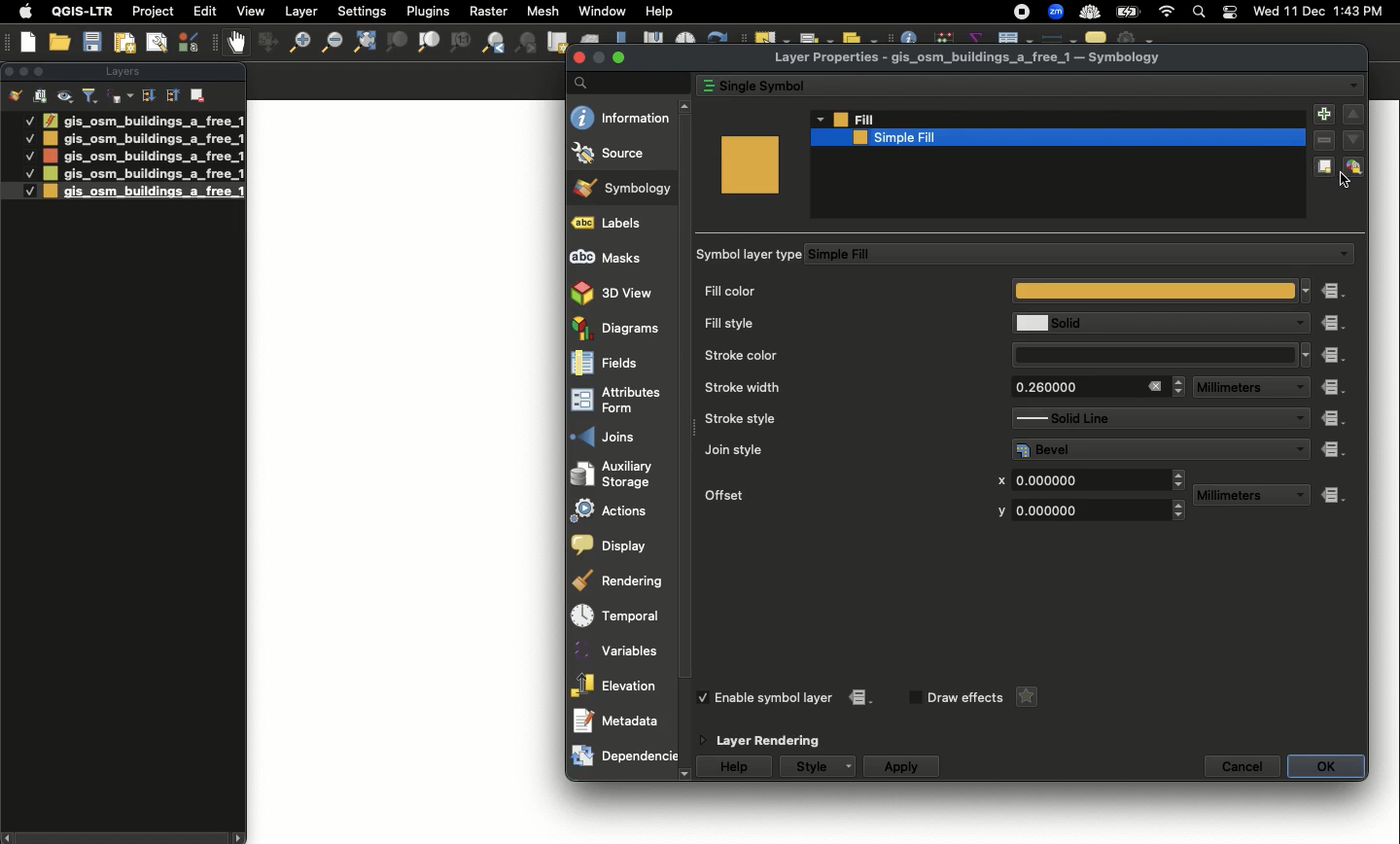 This screenshot has width=1400, height=844. Describe the element at coordinates (602, 11) in the screenshot. I see `Window` at that location.